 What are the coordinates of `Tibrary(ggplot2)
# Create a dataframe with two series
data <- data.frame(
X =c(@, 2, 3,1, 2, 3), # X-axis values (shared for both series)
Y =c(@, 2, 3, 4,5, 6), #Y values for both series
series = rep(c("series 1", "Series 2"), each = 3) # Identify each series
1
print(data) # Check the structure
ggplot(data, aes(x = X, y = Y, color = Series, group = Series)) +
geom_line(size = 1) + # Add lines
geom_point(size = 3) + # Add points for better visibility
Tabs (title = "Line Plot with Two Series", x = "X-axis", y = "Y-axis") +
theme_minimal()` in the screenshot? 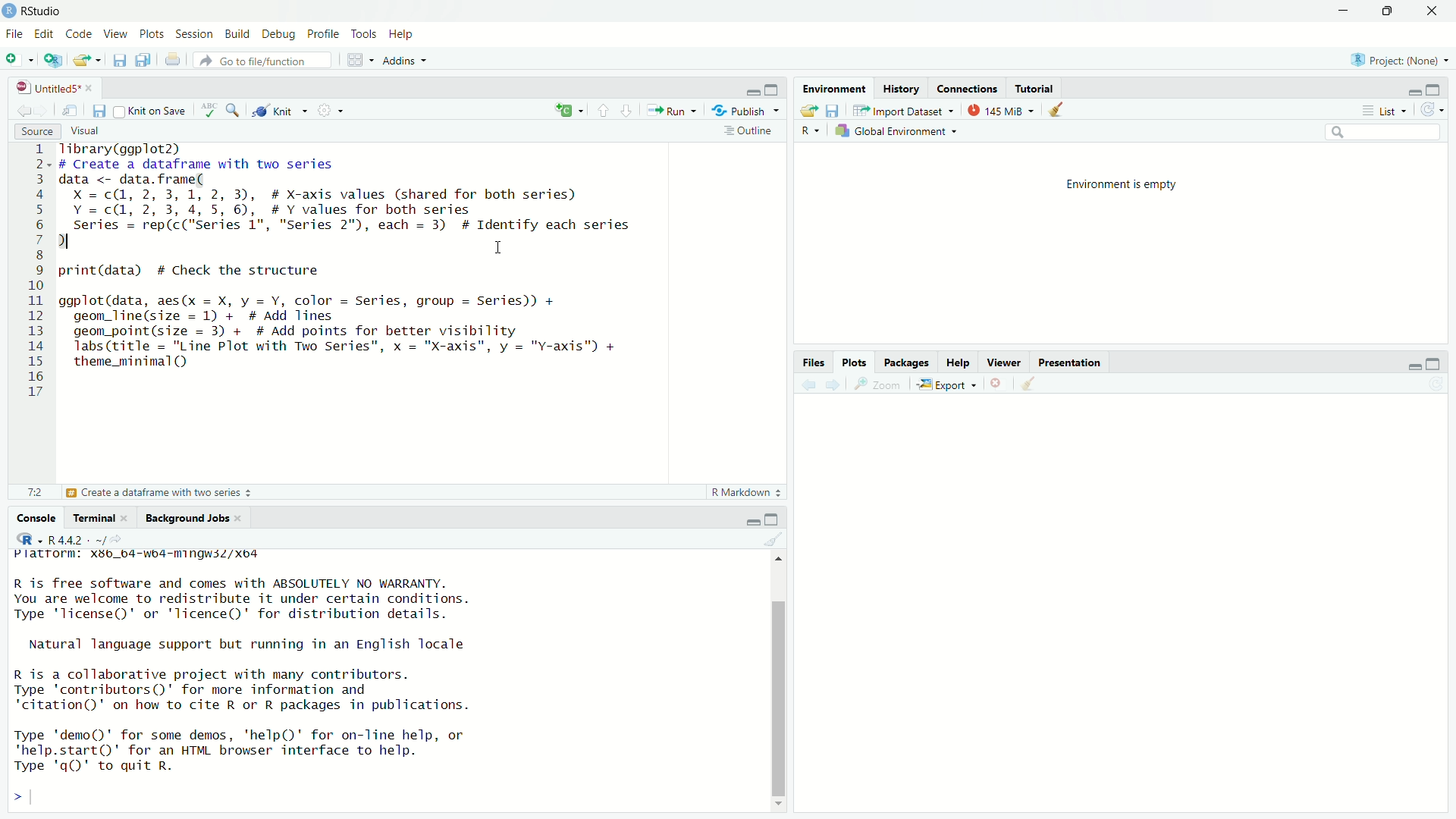 It's located at (367, 271).